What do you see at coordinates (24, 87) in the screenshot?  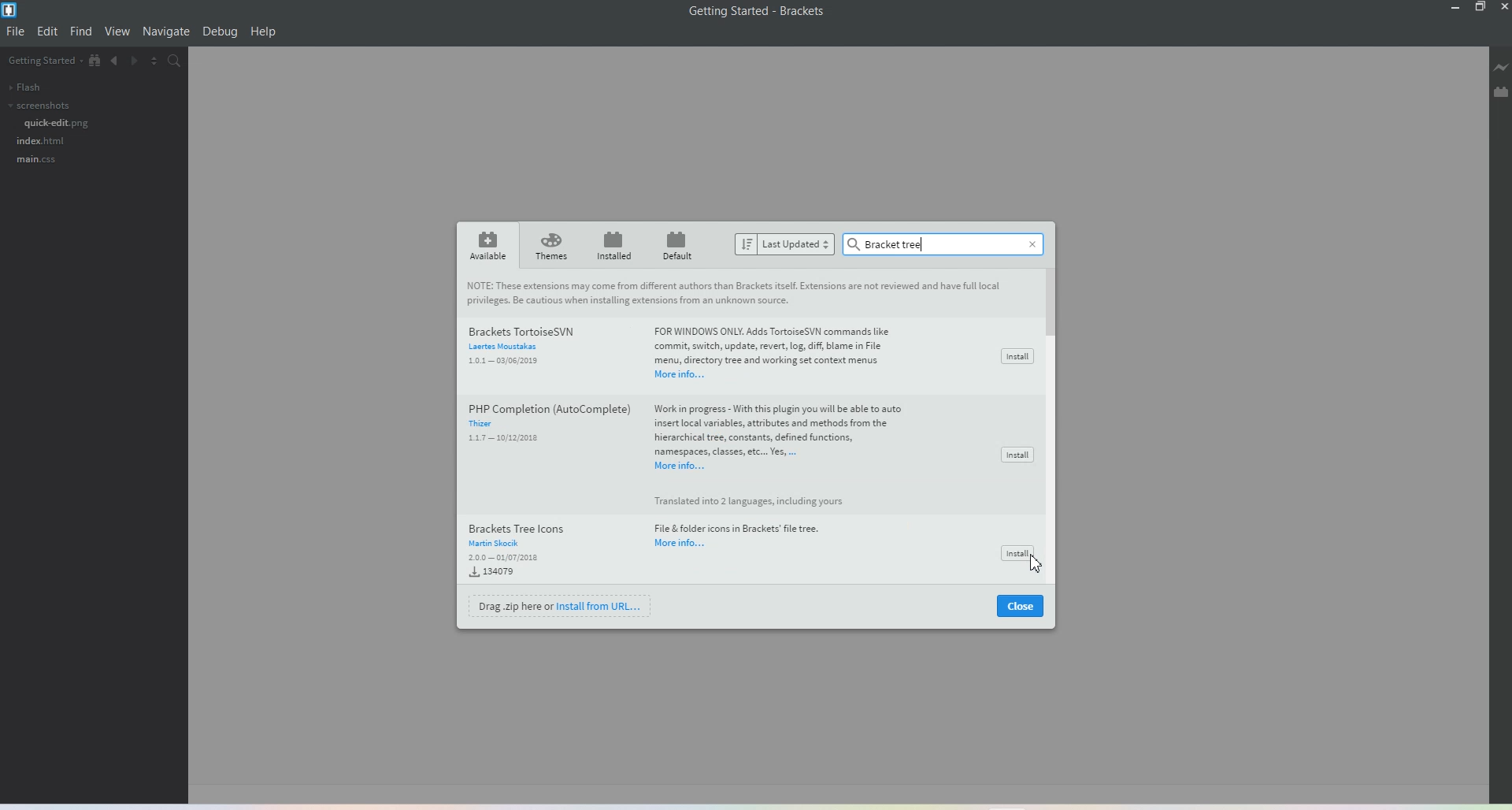 I see `Flash` at bounding box center [24, 87].